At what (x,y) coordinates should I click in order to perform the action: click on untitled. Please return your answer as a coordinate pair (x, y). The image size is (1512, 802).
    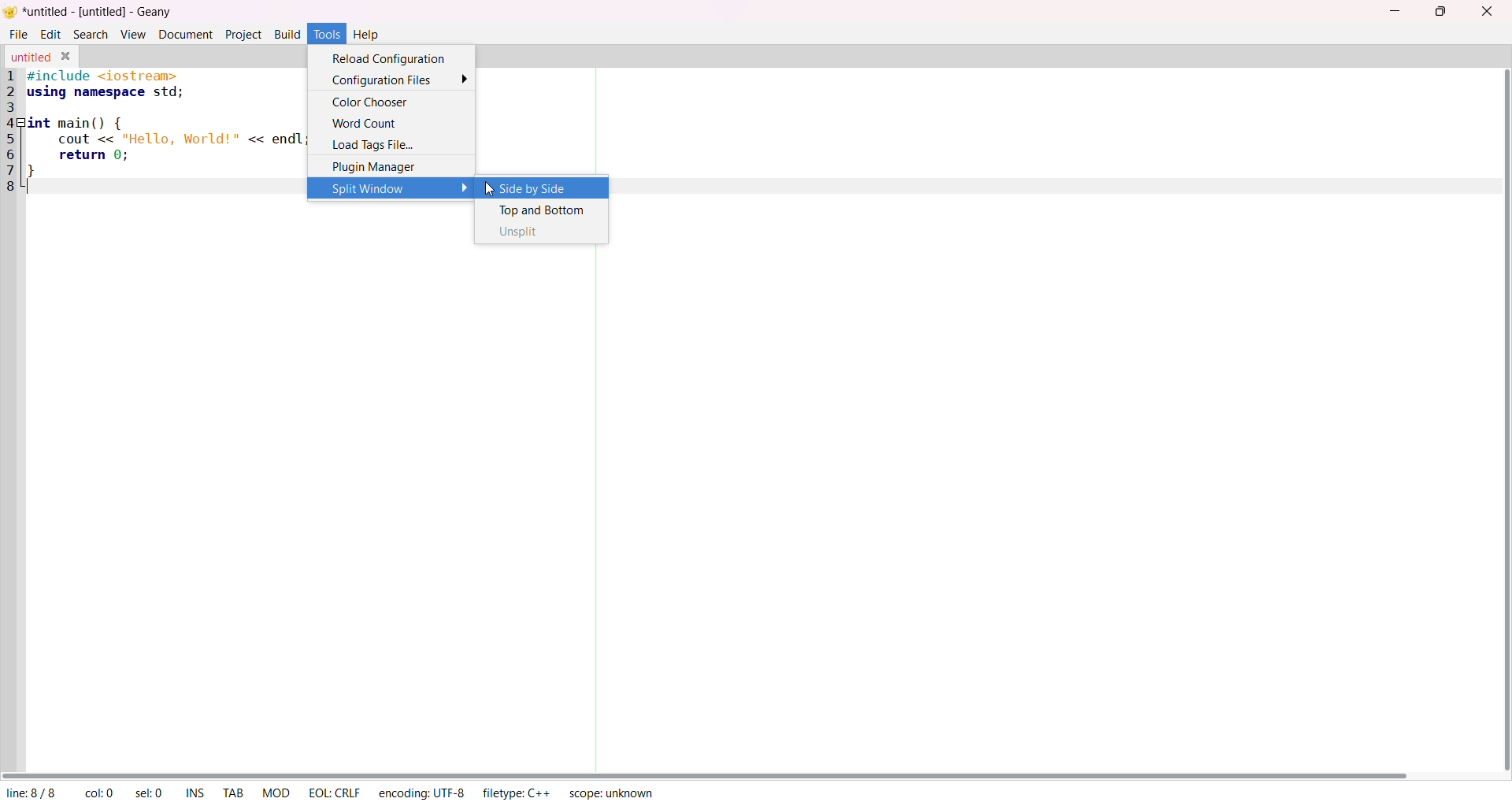
    Looking at the image, I should click on (30, 58).